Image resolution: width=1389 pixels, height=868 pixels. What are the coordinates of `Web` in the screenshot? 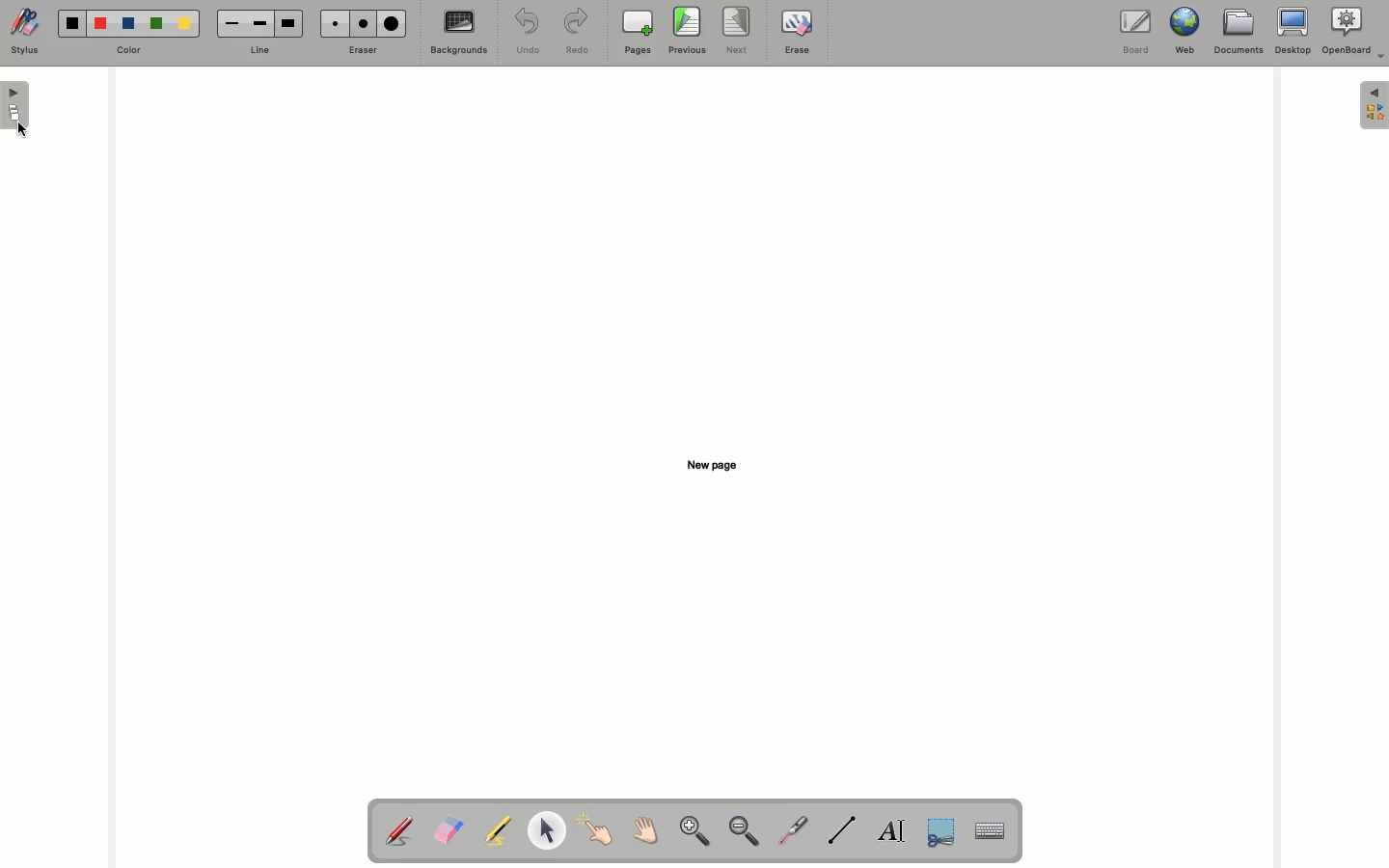 It's located at (1182, 31).